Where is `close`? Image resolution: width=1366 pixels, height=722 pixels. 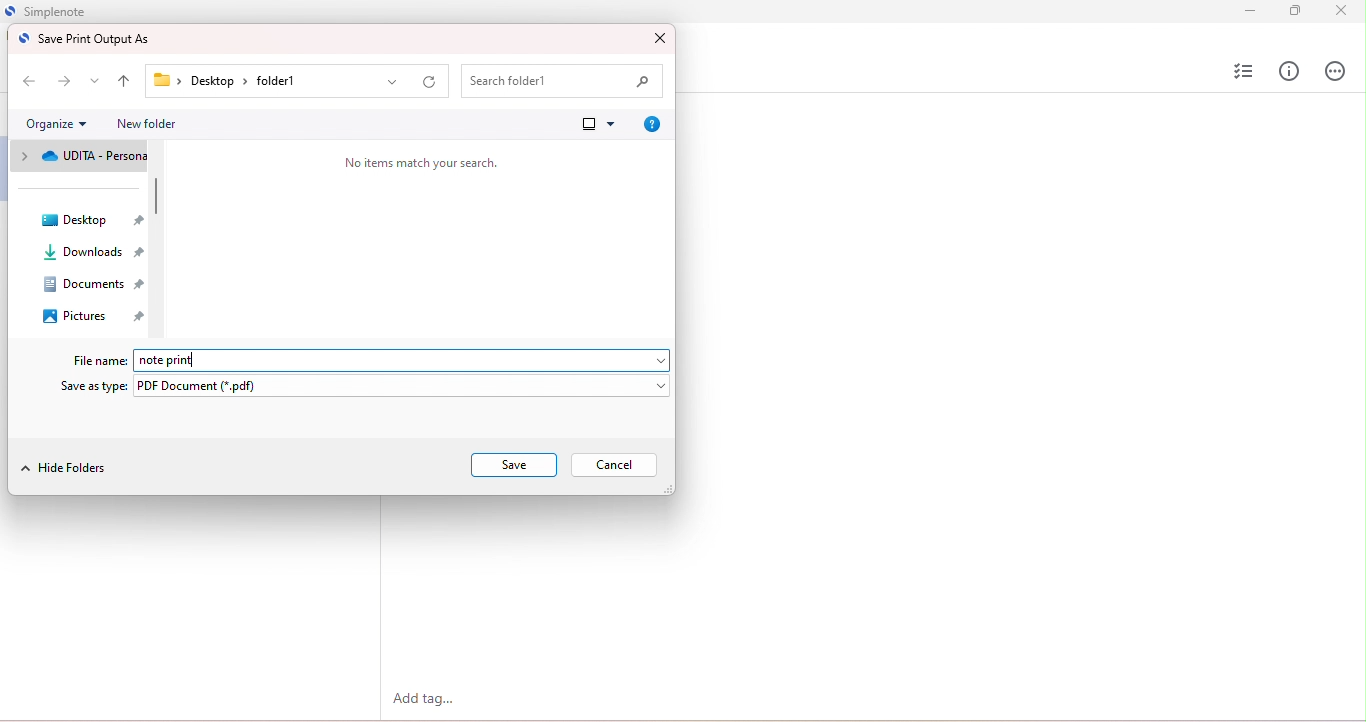 close is located at coordinates (658, 38).